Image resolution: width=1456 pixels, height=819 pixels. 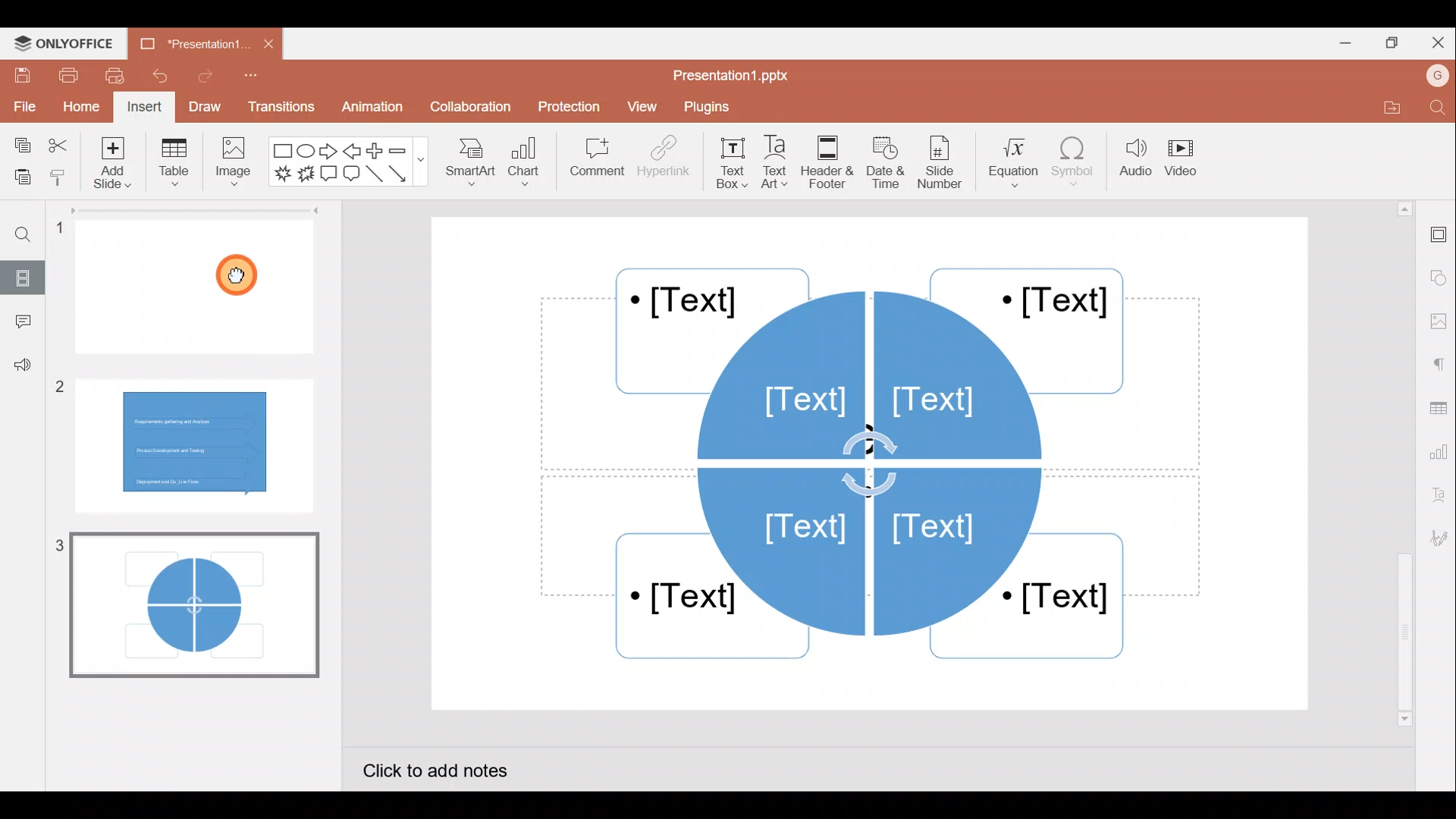 I want to click on Customize quick access toolbar, so click(x=249, y=79).